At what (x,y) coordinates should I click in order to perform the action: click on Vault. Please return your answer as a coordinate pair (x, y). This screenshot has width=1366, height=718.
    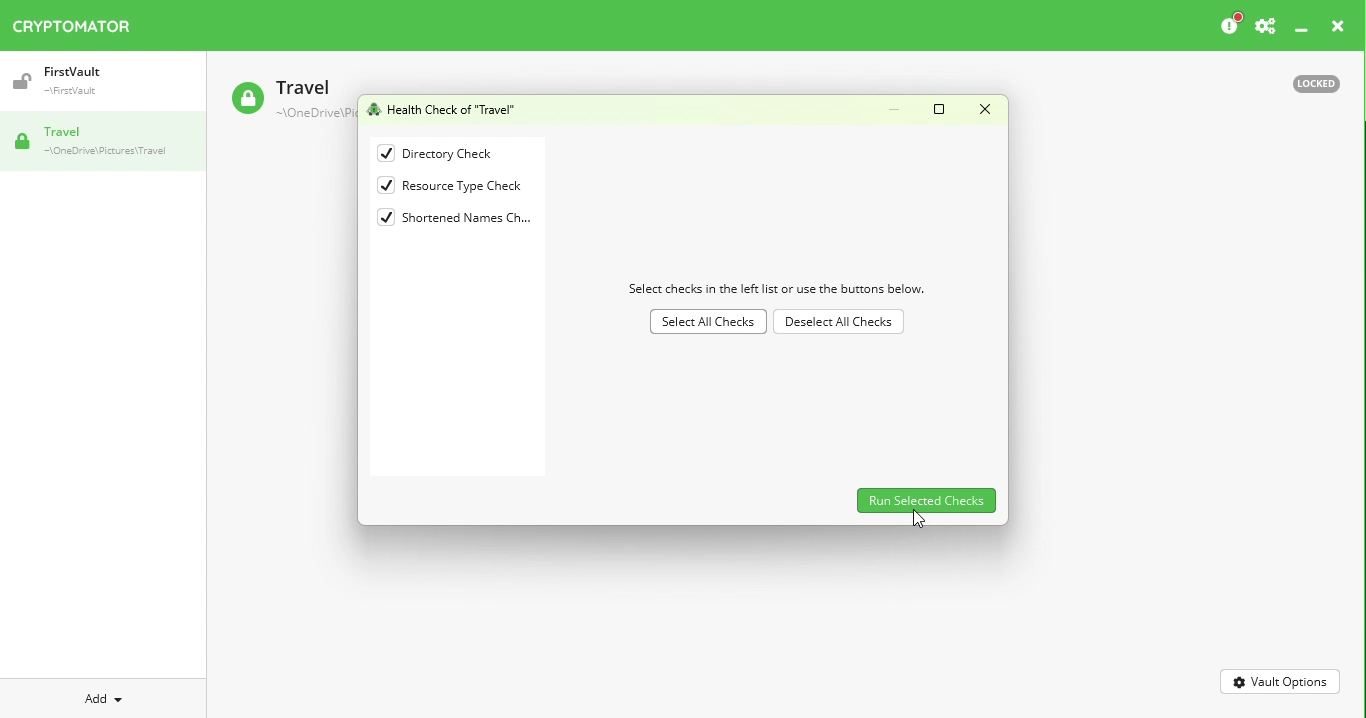
    Looking at the image, I should click on (102, 142).